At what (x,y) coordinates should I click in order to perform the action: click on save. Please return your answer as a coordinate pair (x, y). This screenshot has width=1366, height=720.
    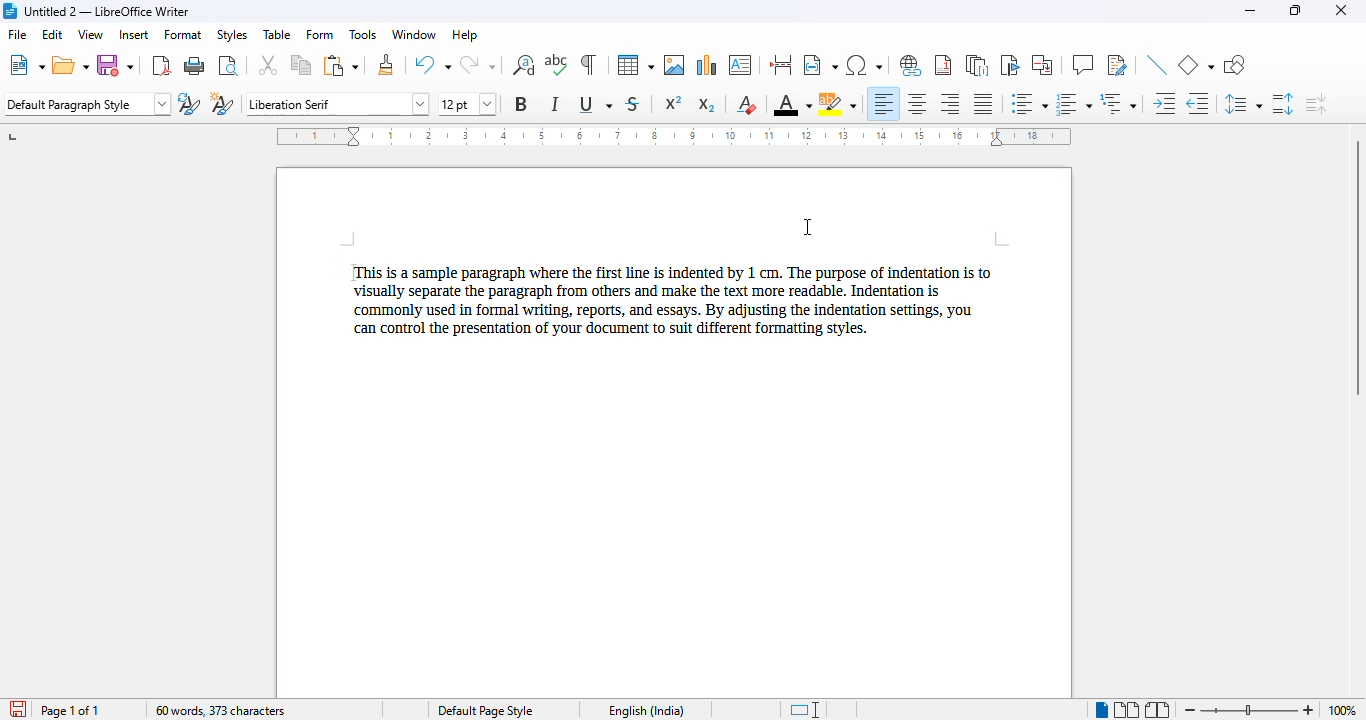
    Looking at the image, I should click on (115, 66).